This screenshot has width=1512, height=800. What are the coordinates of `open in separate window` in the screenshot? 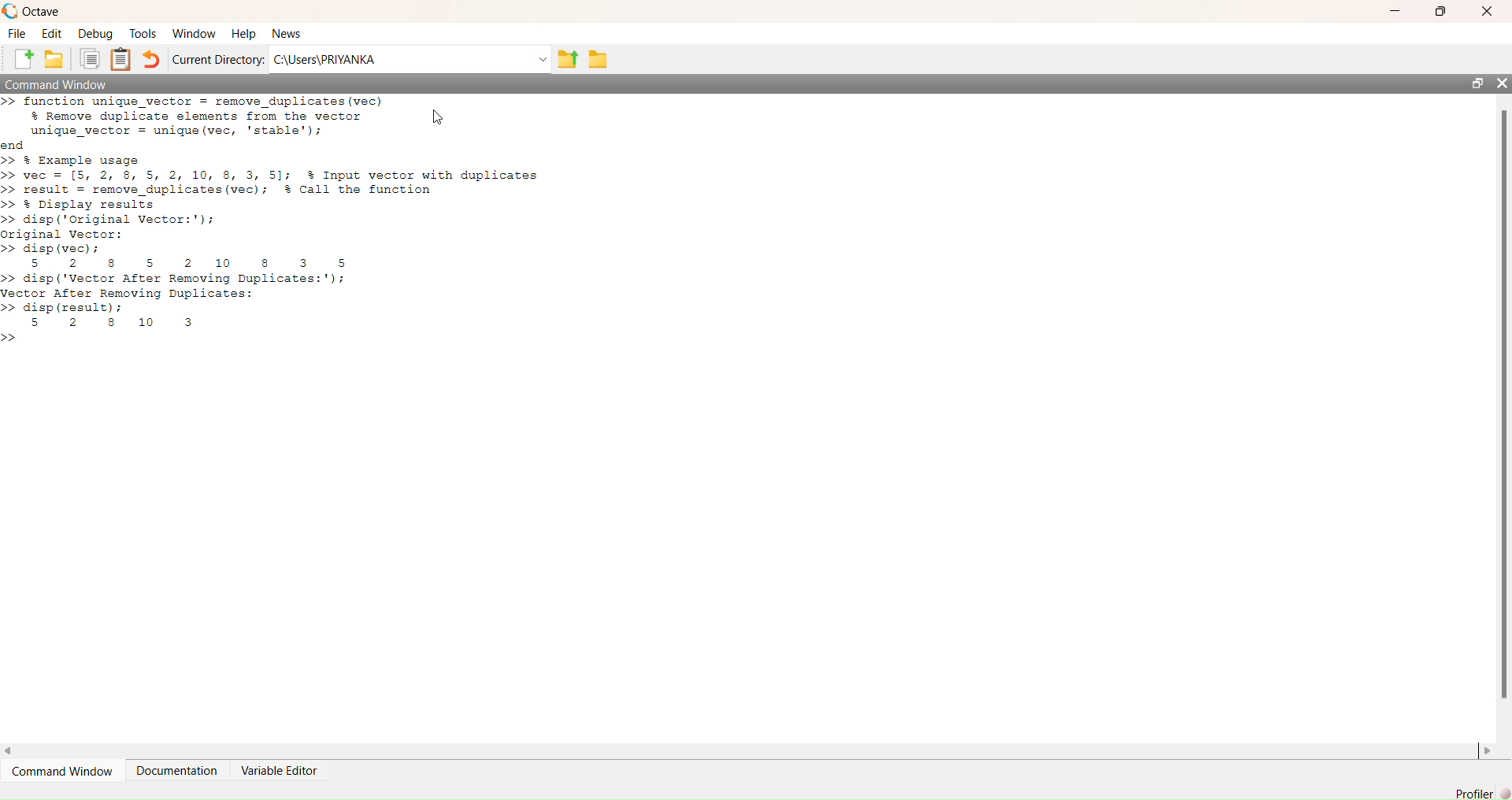 It's located at (1478, 83).